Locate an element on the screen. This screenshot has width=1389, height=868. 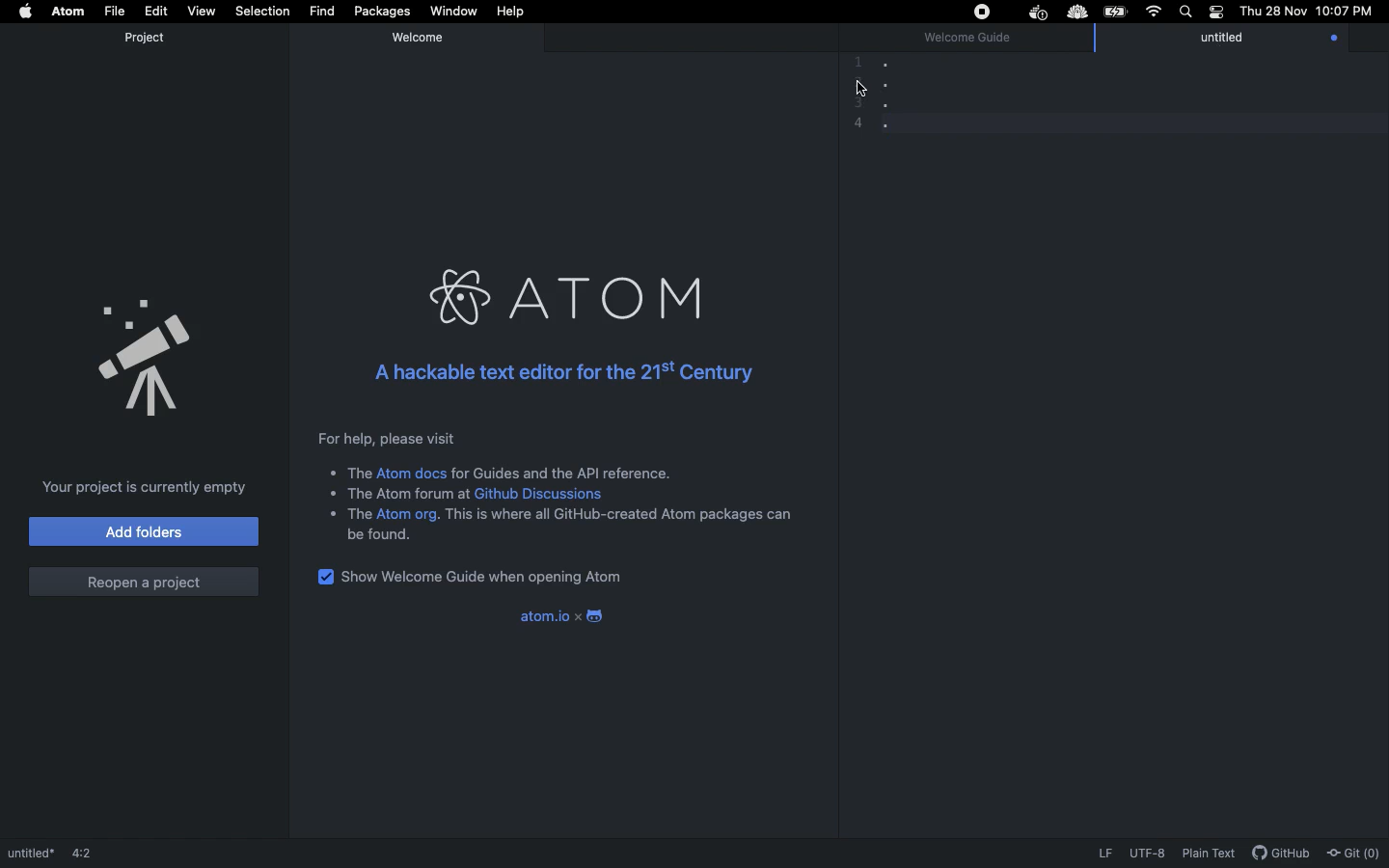
Git  is located at coordinates (1354, 849).